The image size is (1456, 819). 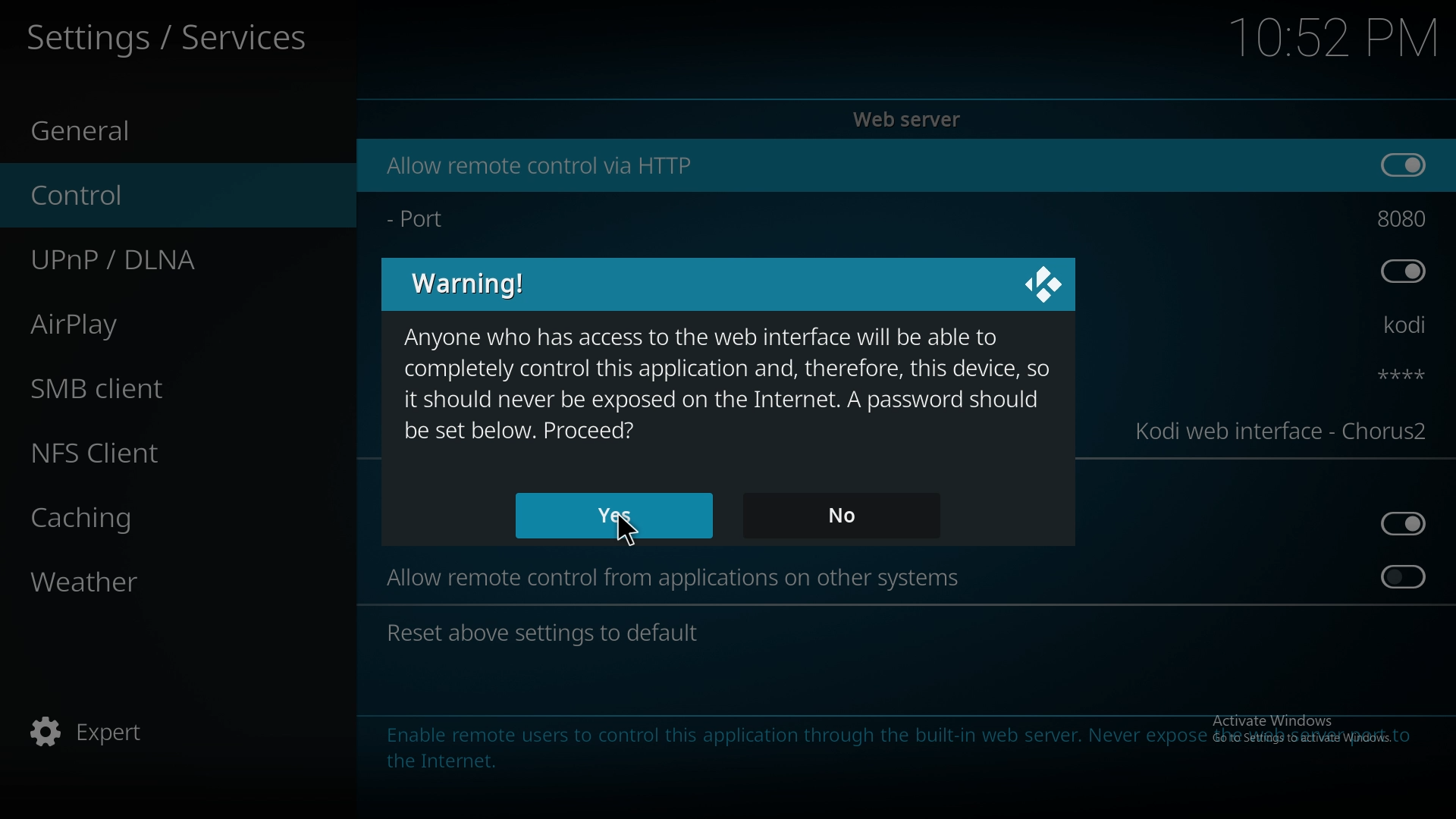 I want to click on toggle, so click(x=1404, y=524).